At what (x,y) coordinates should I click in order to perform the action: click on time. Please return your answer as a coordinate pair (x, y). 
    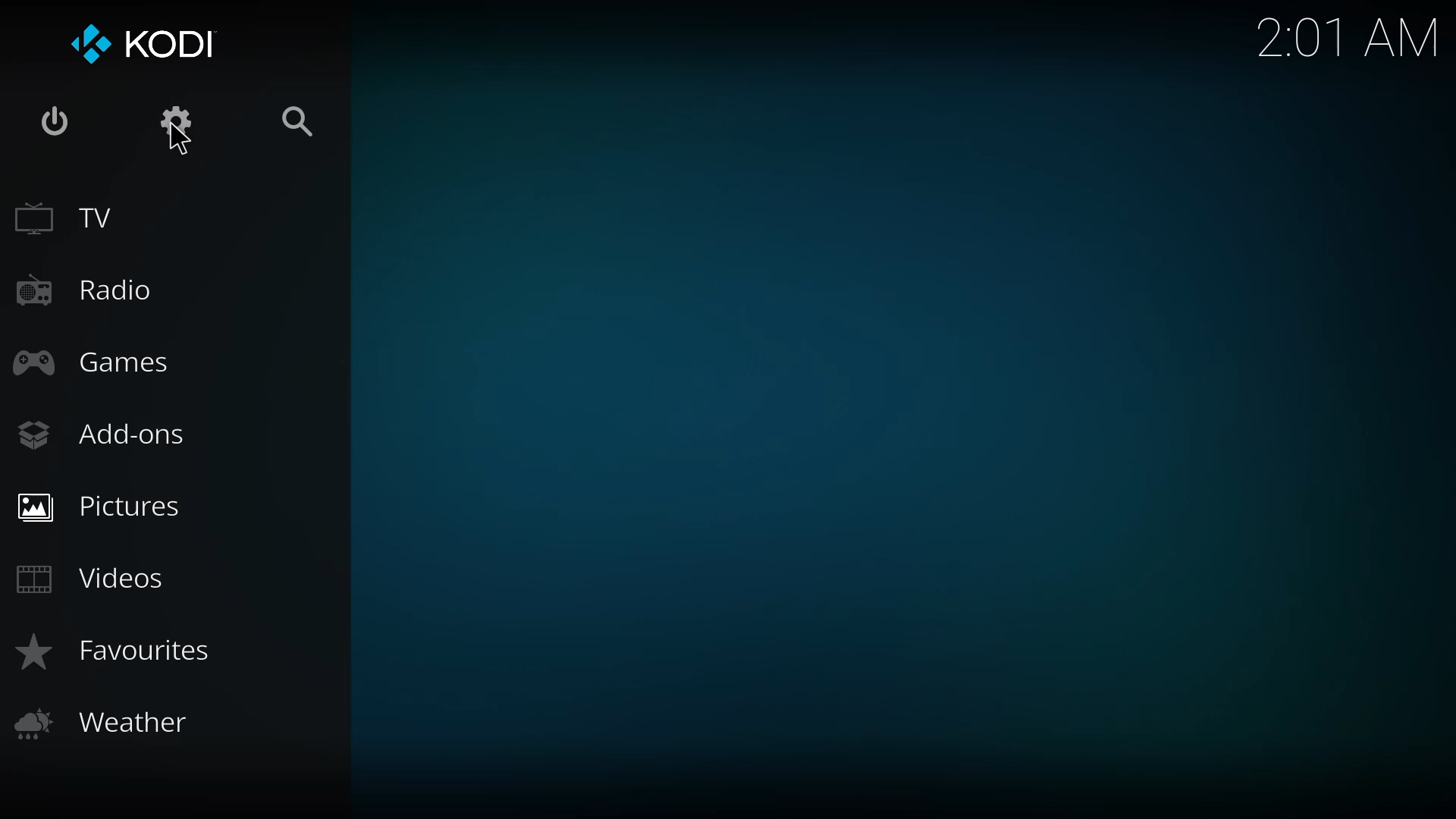
    Looking at the image, I should click on (1340, 37).